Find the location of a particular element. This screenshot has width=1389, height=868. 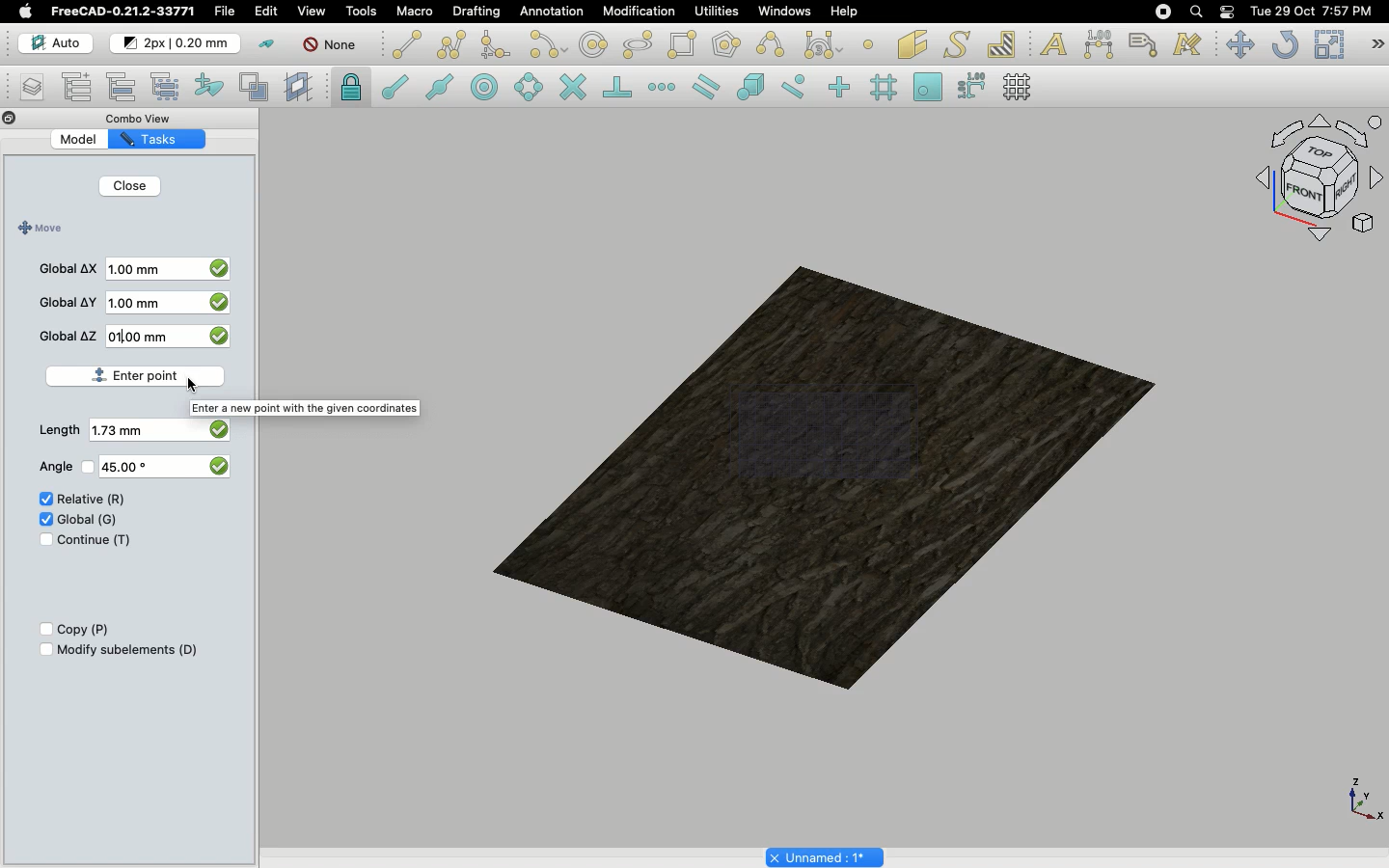

checkbox is located at coordinates (217, 427).